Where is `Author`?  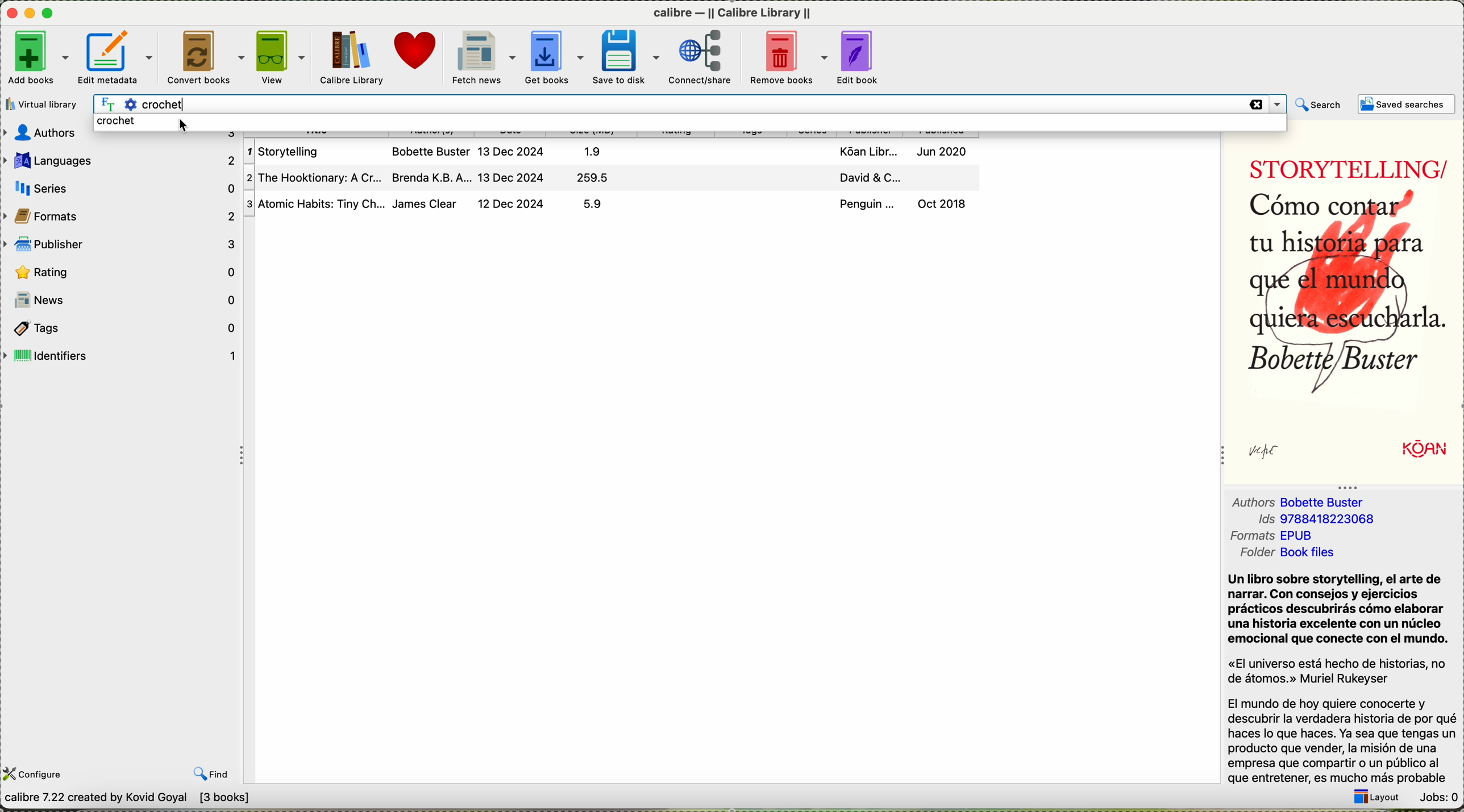
Author is located at coordinates (45, 133).